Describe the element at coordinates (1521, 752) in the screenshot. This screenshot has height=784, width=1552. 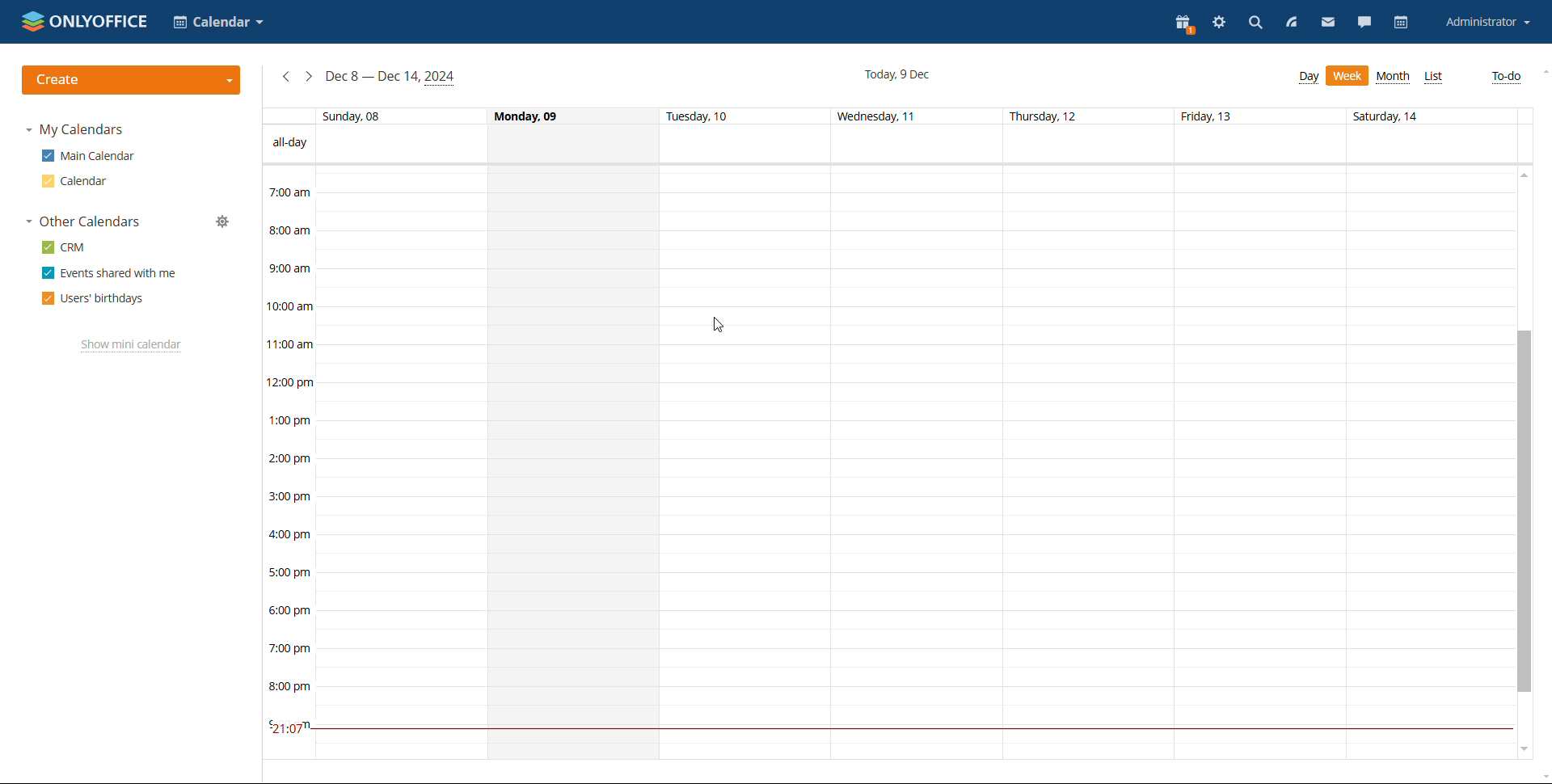
I see `scroll down` at that location.